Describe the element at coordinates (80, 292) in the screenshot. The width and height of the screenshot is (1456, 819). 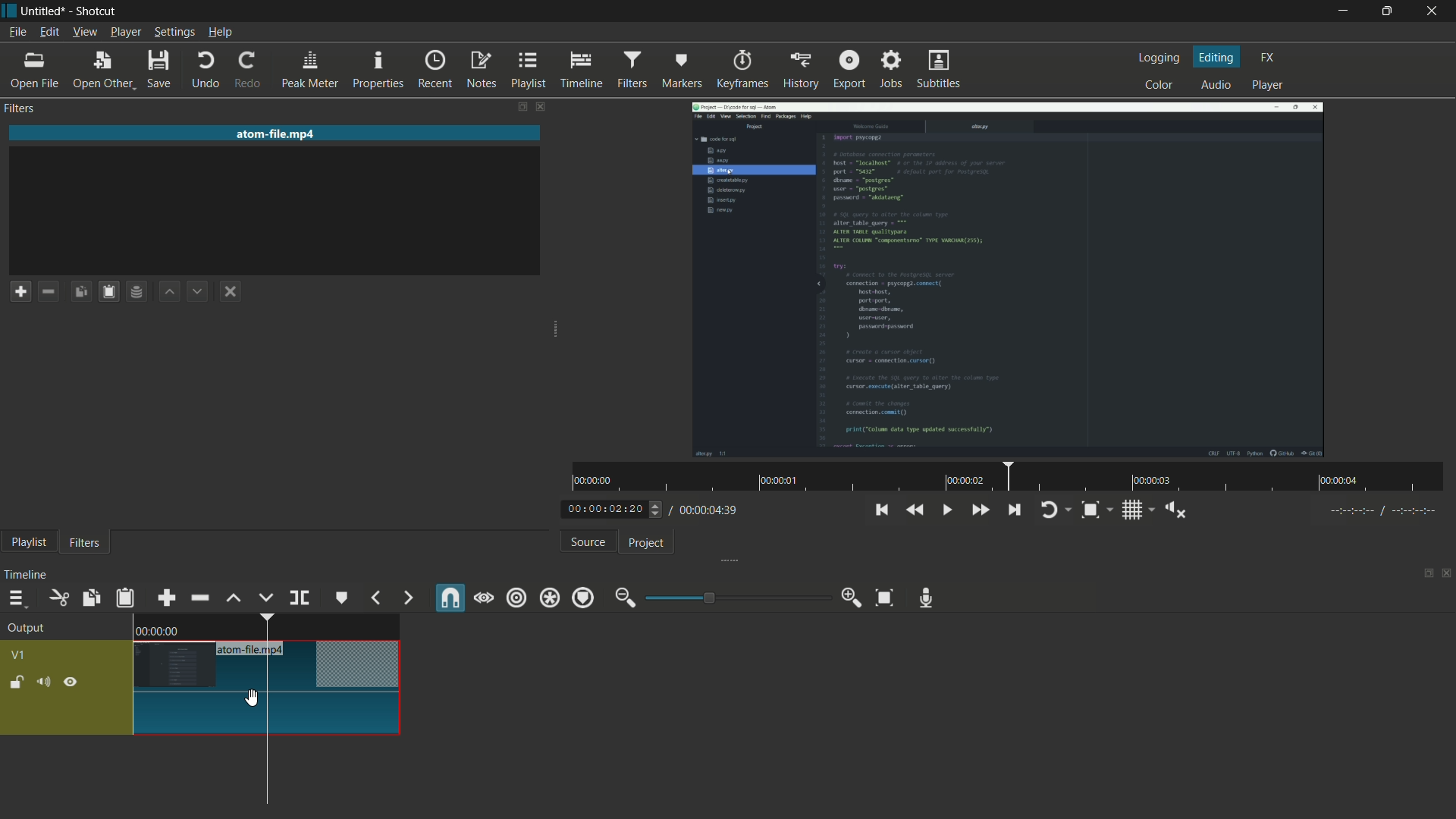
I see `copy checked filters` at that location.